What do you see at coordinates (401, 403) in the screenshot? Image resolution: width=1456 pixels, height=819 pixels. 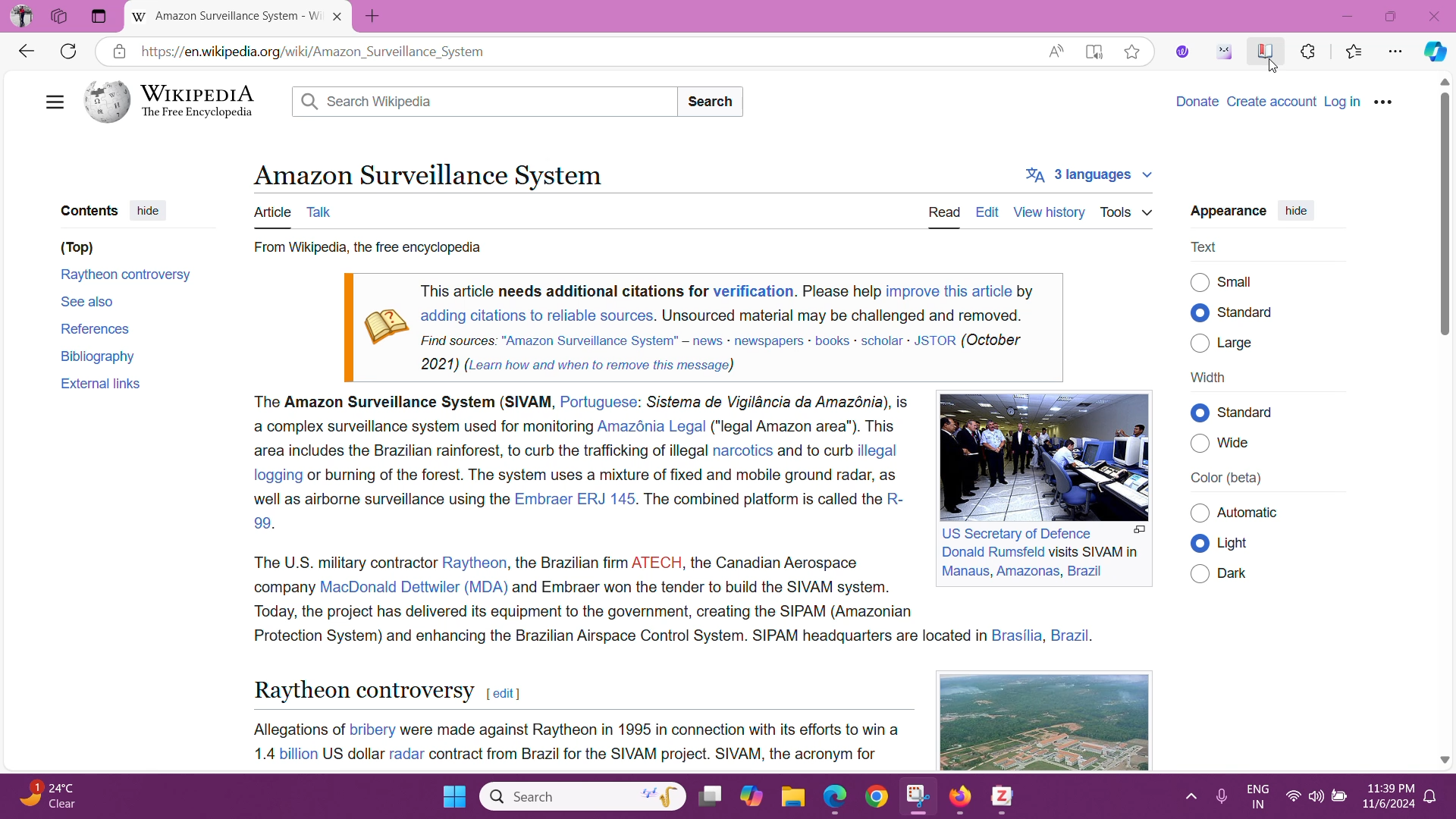 I see `The Amazon Surveillance System (SIVAM,` at bounding box center [401, 403].